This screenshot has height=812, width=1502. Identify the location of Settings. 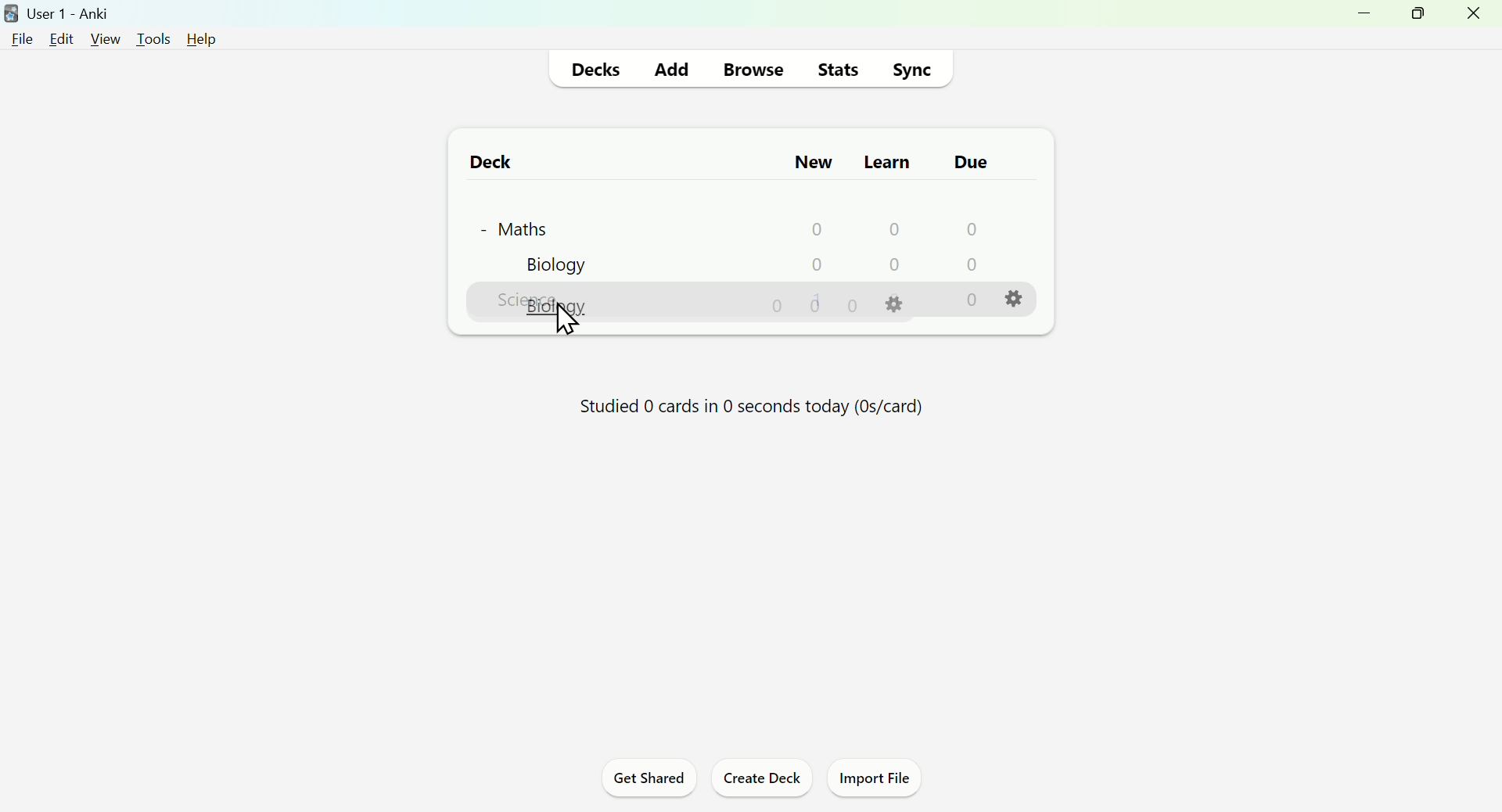
(1018, 300).